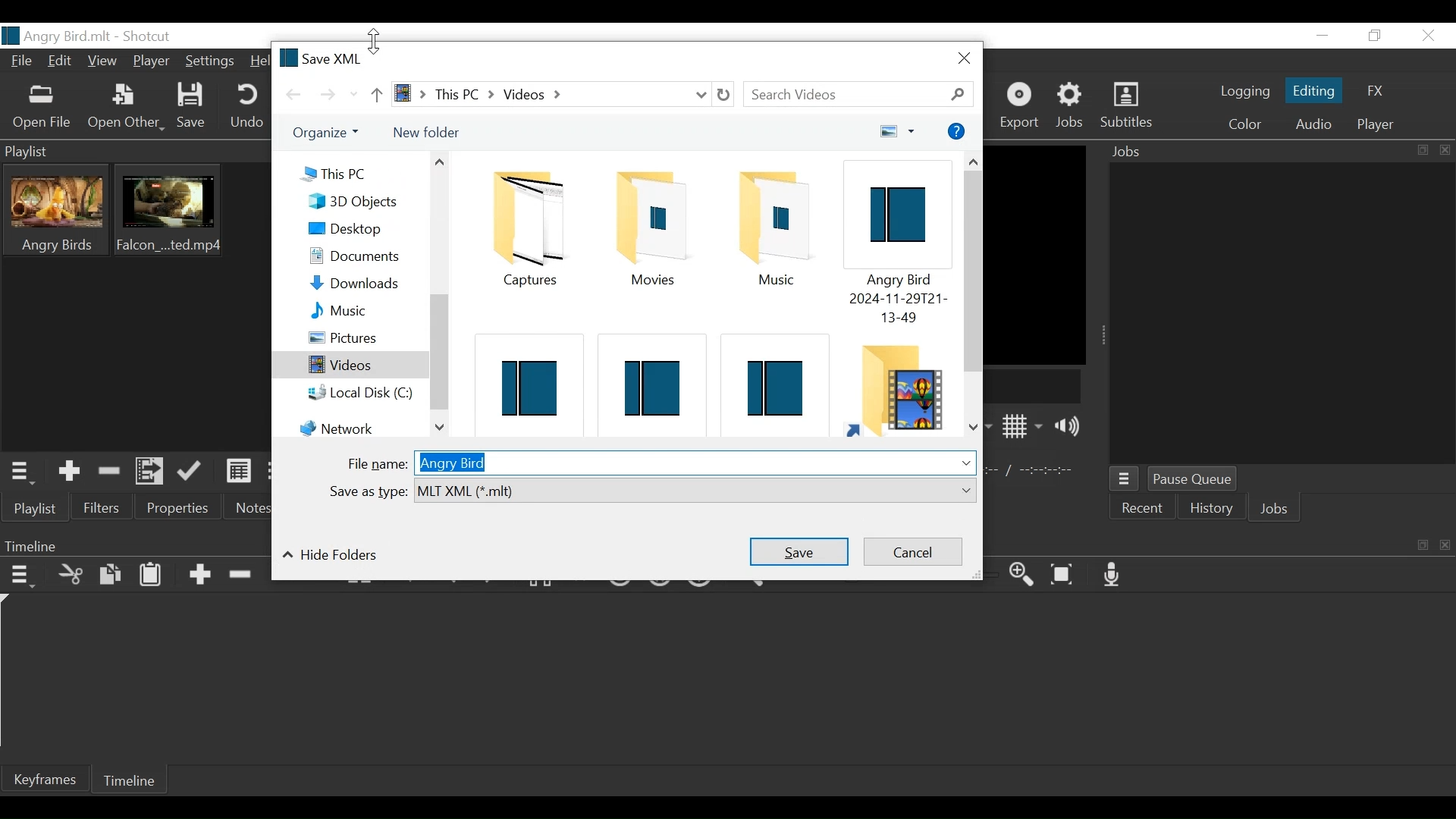 The image size is (1456, 819). I want to click on Paste, so click(152, 575).